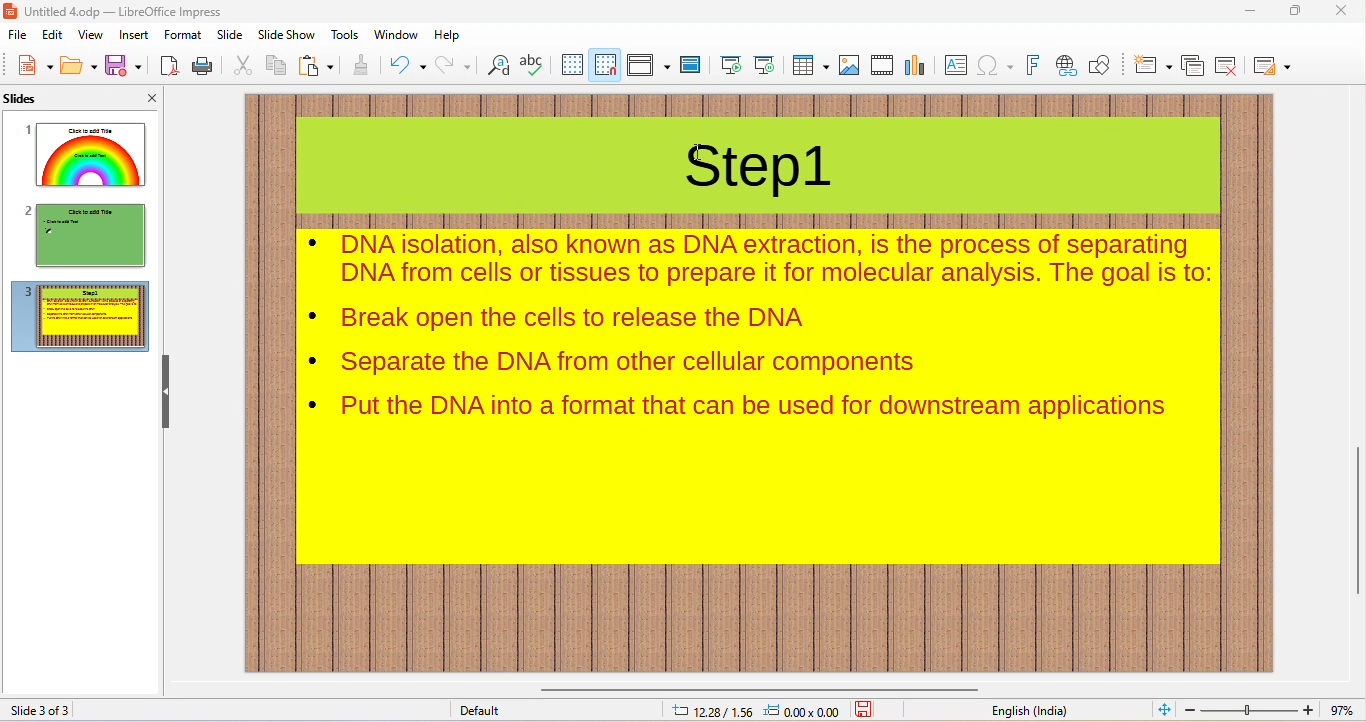 The width and height of the screenshot is (1366, 722). I want to click on help, so click(455, 35).